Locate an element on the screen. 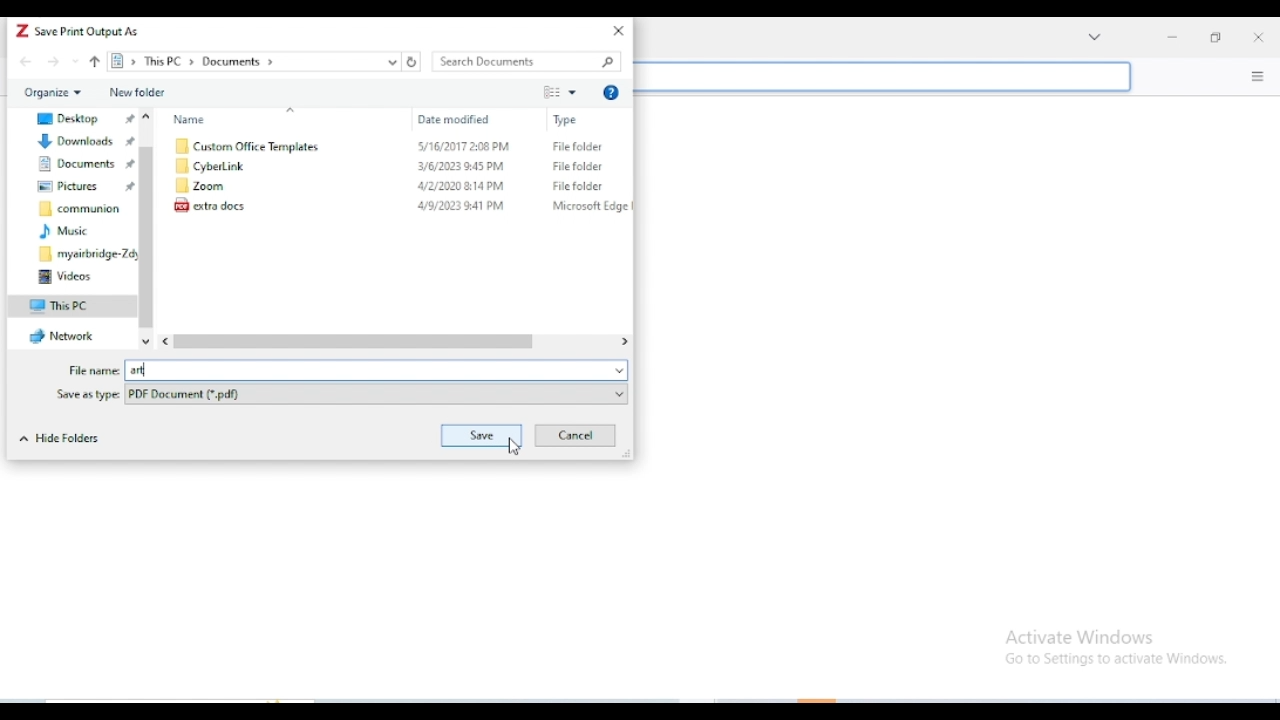  Activate Windows is located at coordinates (1080, 637).